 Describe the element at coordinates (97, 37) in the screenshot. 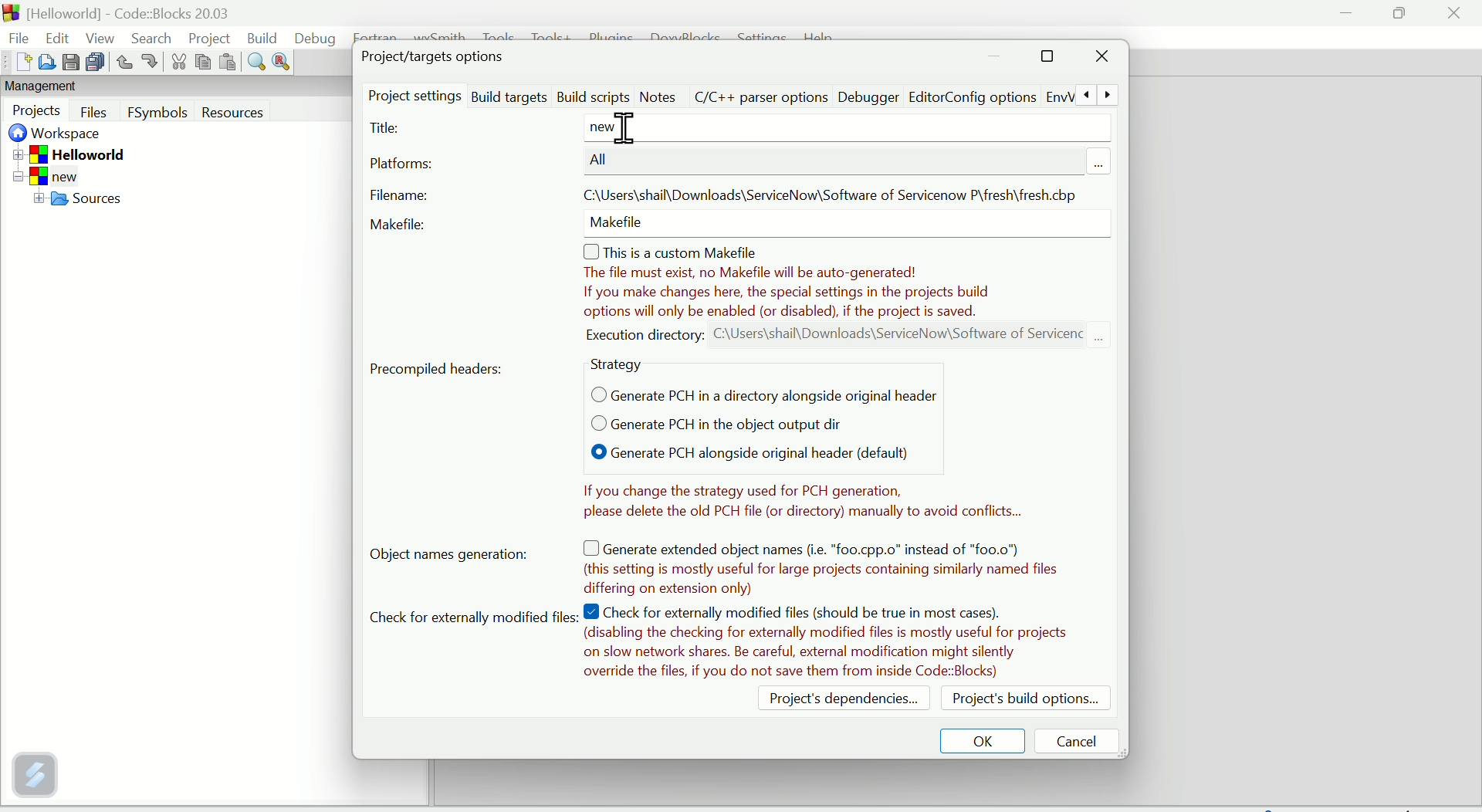

I see `View` at that location.